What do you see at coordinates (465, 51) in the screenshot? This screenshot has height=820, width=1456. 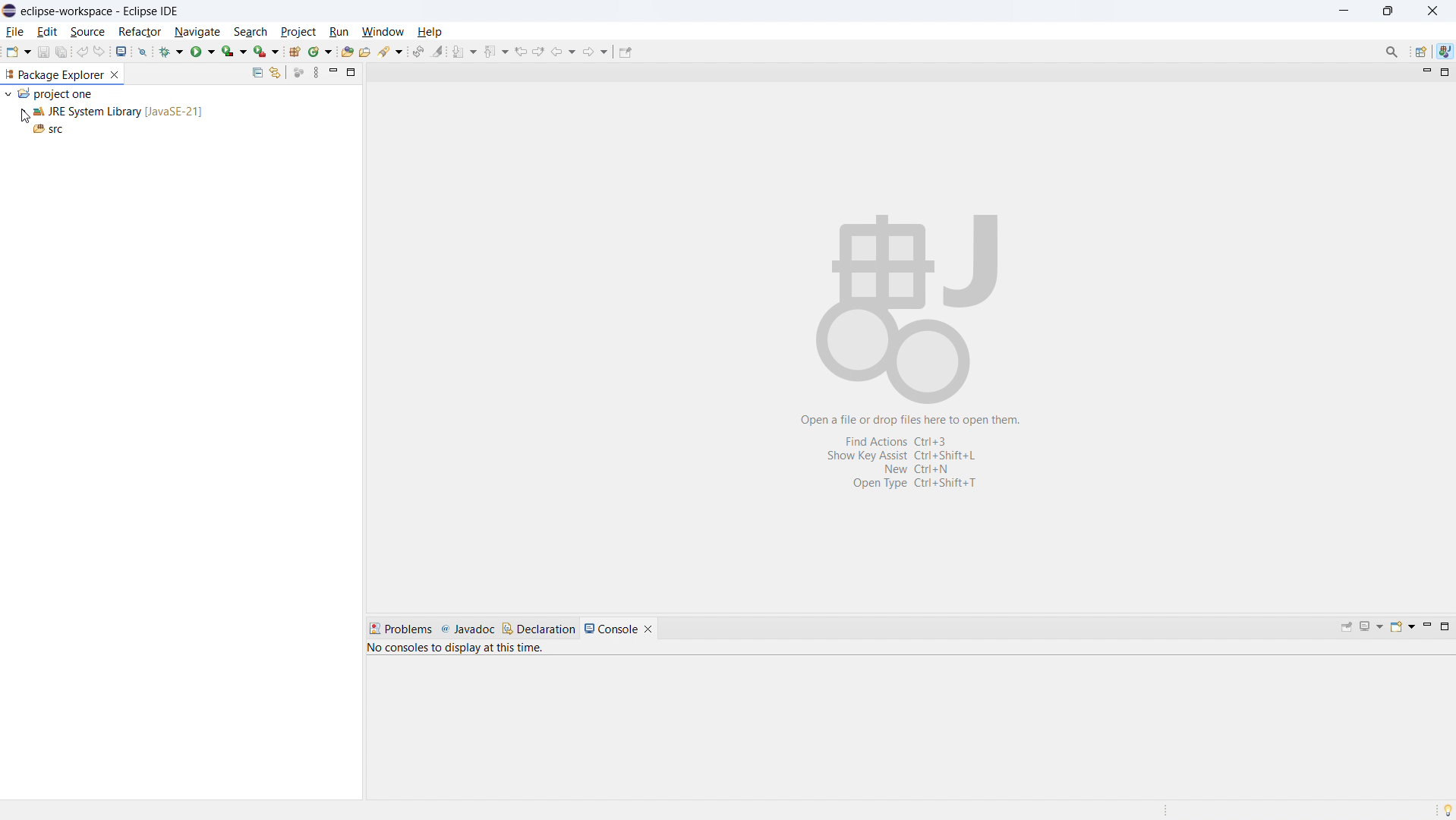 I see `next annotation` at bounding box center [465, 51].